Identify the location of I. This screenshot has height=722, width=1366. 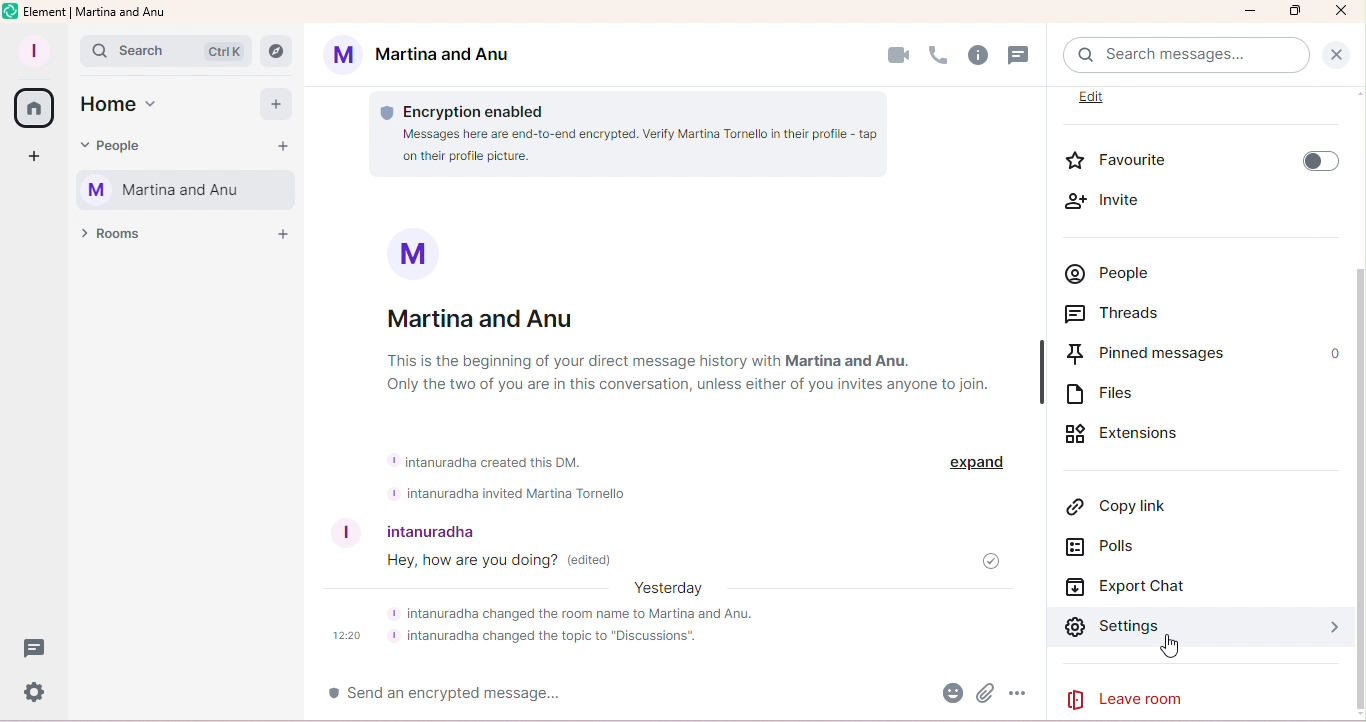
(339, 533).